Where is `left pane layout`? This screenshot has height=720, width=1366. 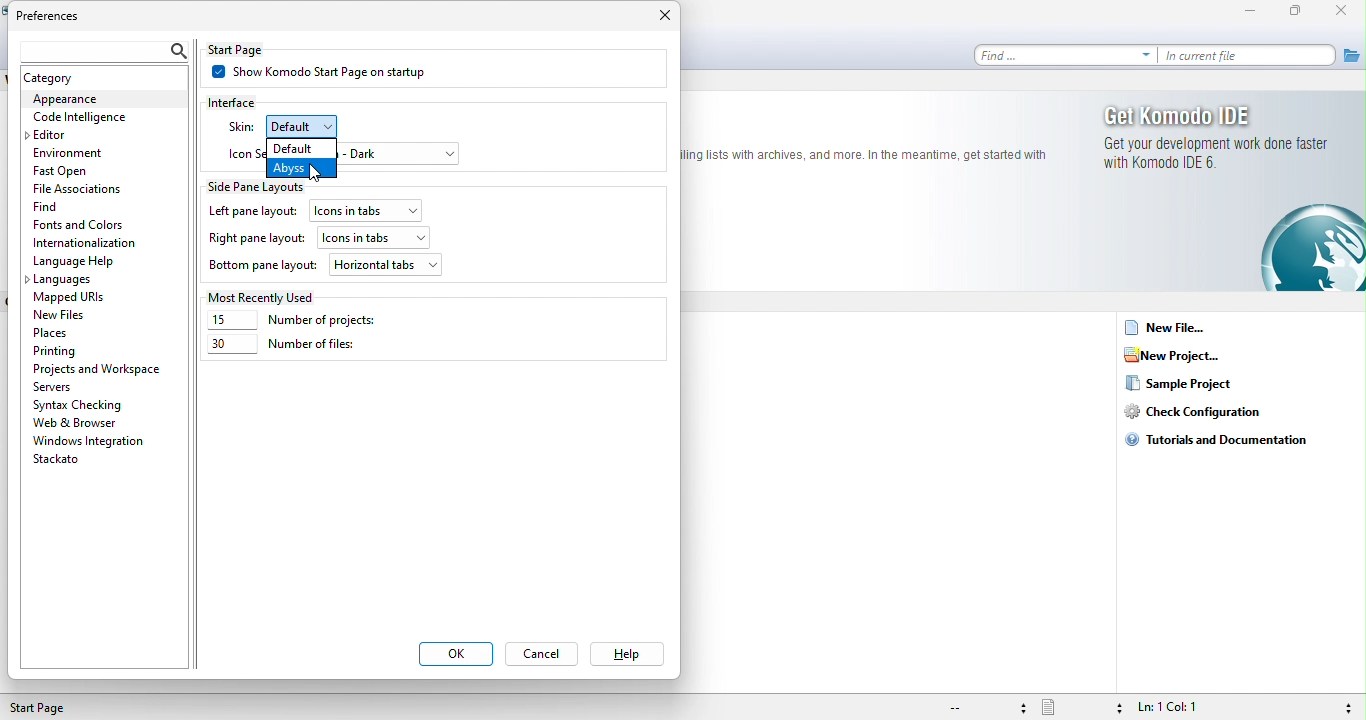 left pane layout is located at coordinates (252, 212).